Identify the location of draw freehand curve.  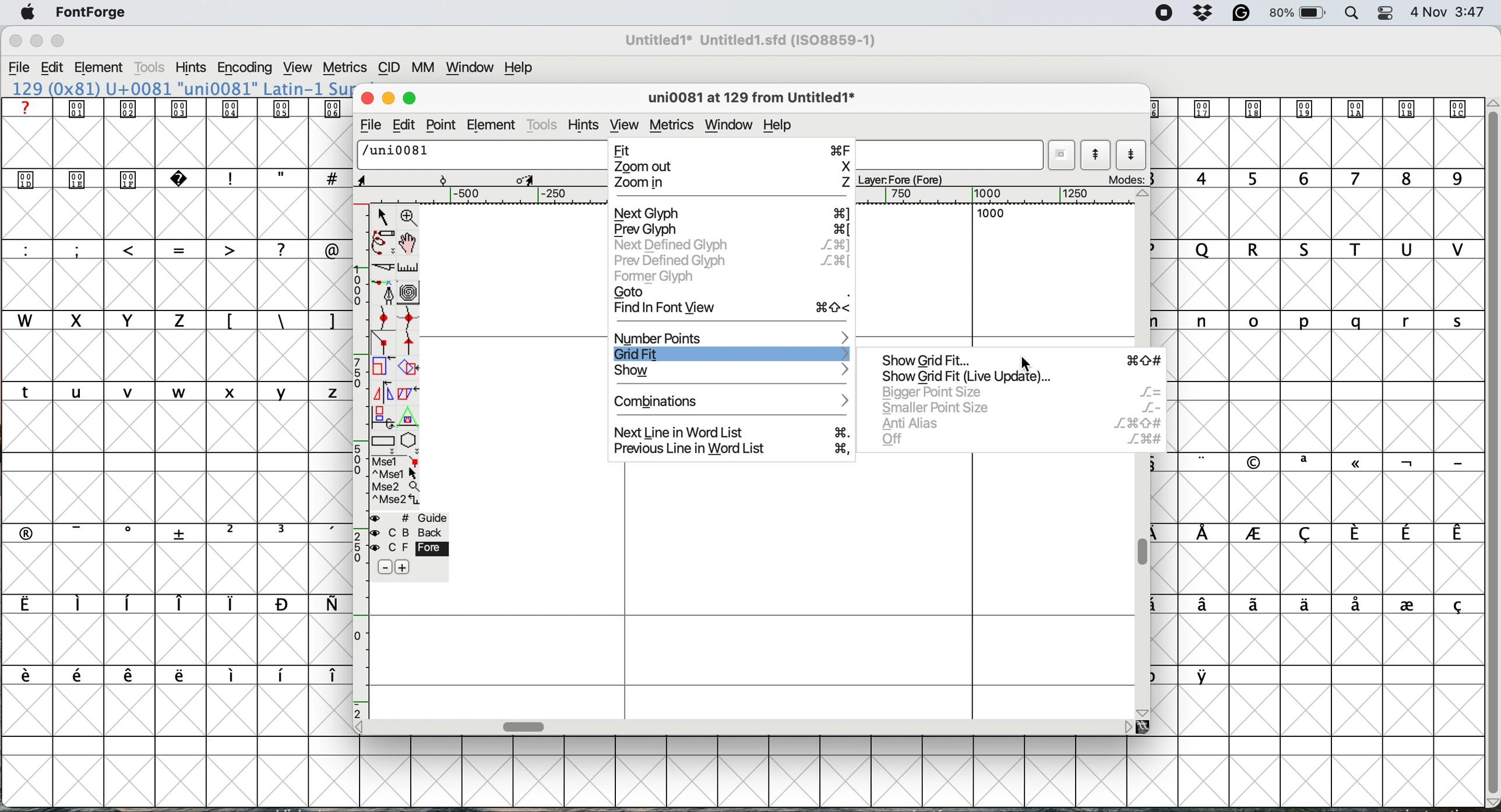
(383, 242).